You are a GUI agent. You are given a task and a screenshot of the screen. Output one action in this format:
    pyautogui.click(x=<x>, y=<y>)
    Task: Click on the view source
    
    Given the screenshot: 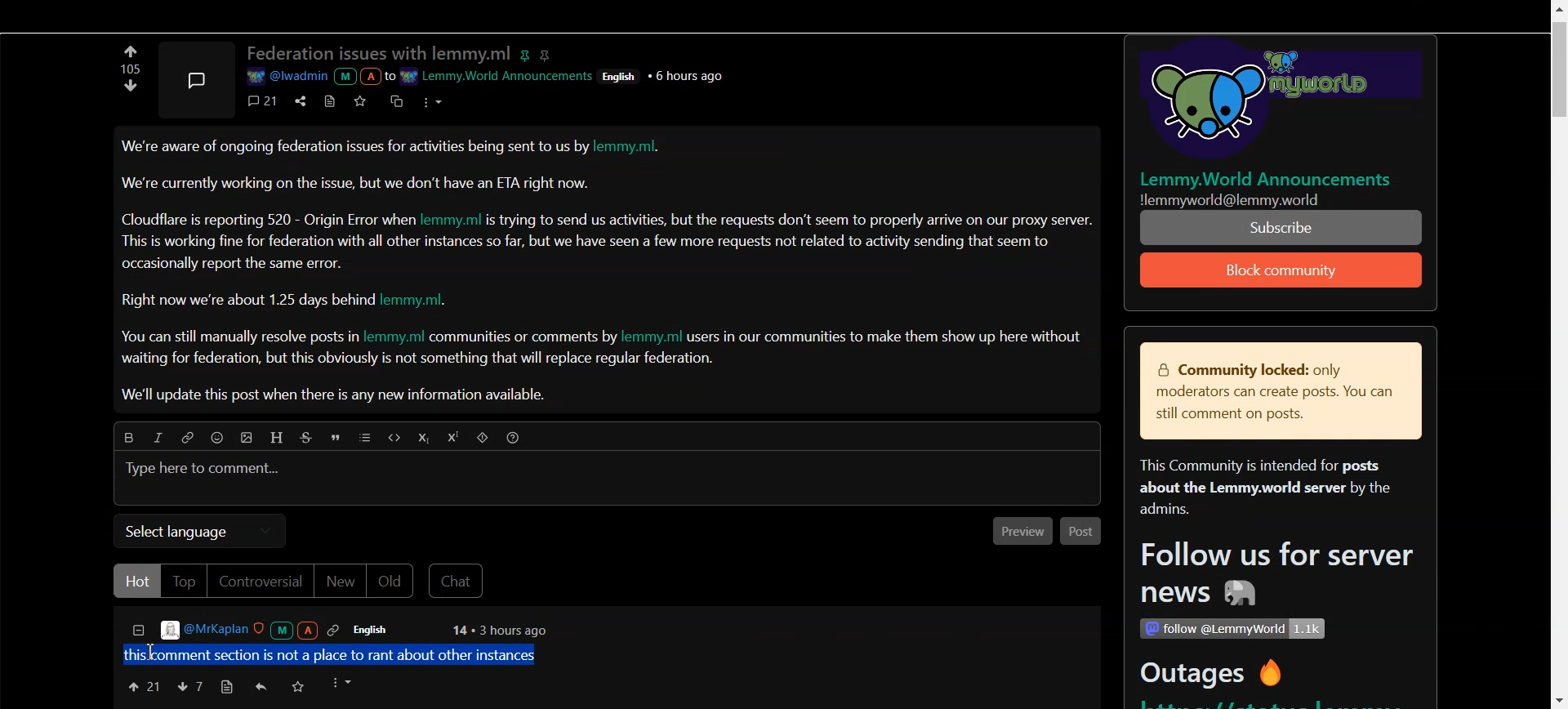 What is the action you would take?
    pyautogui.click(x=226, y=687)
    